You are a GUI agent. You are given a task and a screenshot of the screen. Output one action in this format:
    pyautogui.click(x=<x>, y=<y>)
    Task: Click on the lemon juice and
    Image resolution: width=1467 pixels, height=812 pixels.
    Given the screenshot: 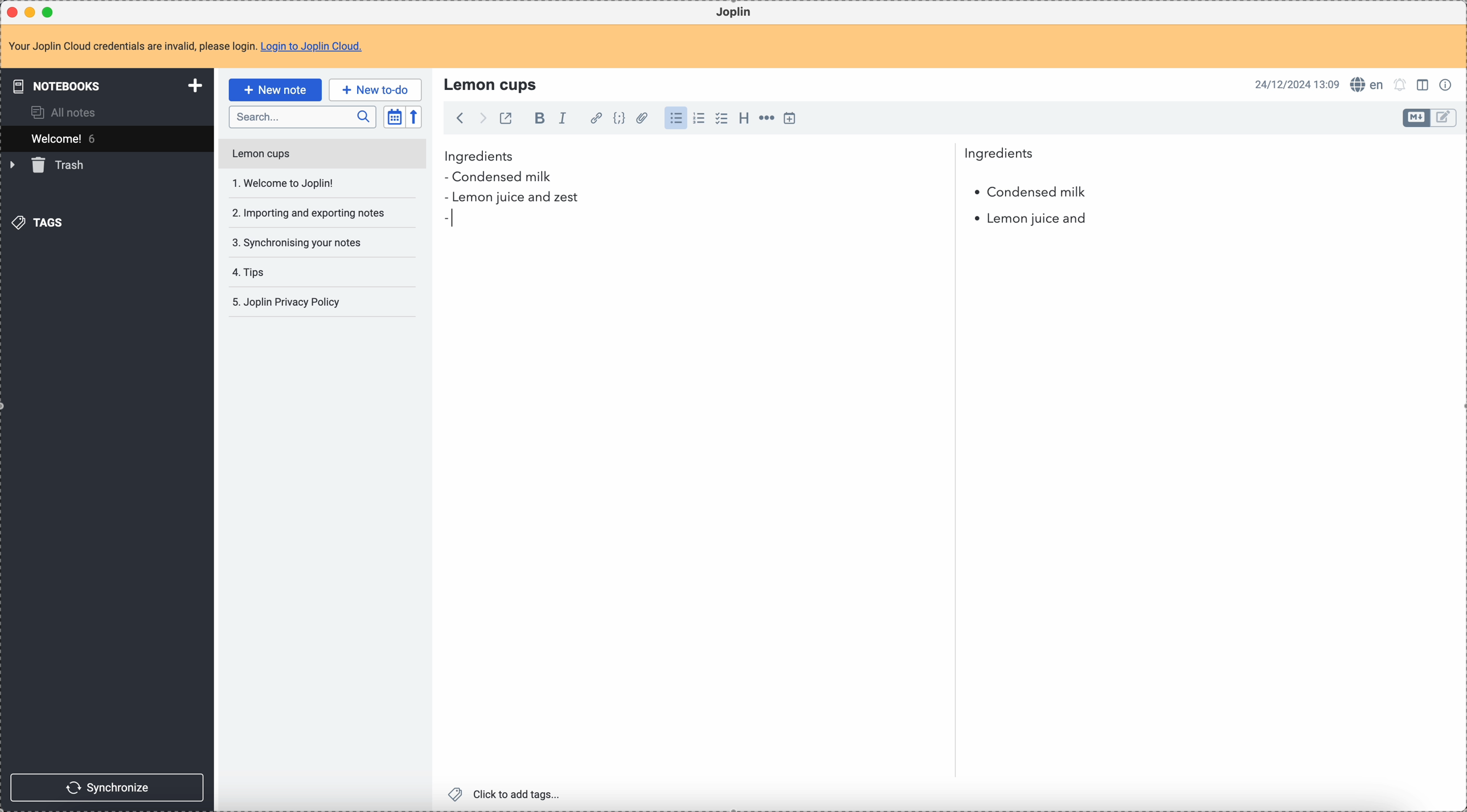 What is the action you would take?
    pyautogui.click(x=1031, y=221)
    